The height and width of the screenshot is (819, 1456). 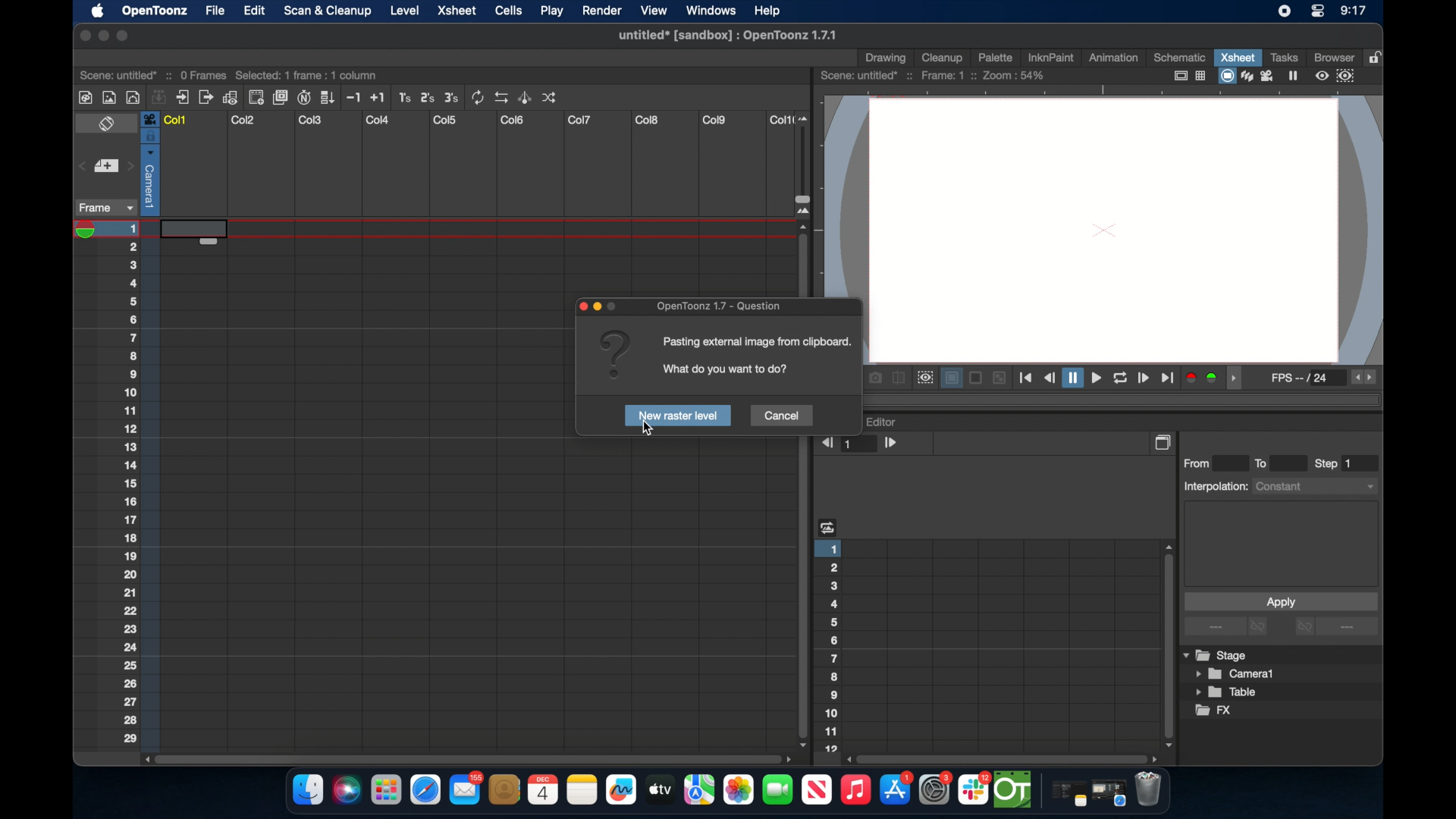 I want to click on finder, so click(x=306, y=790).